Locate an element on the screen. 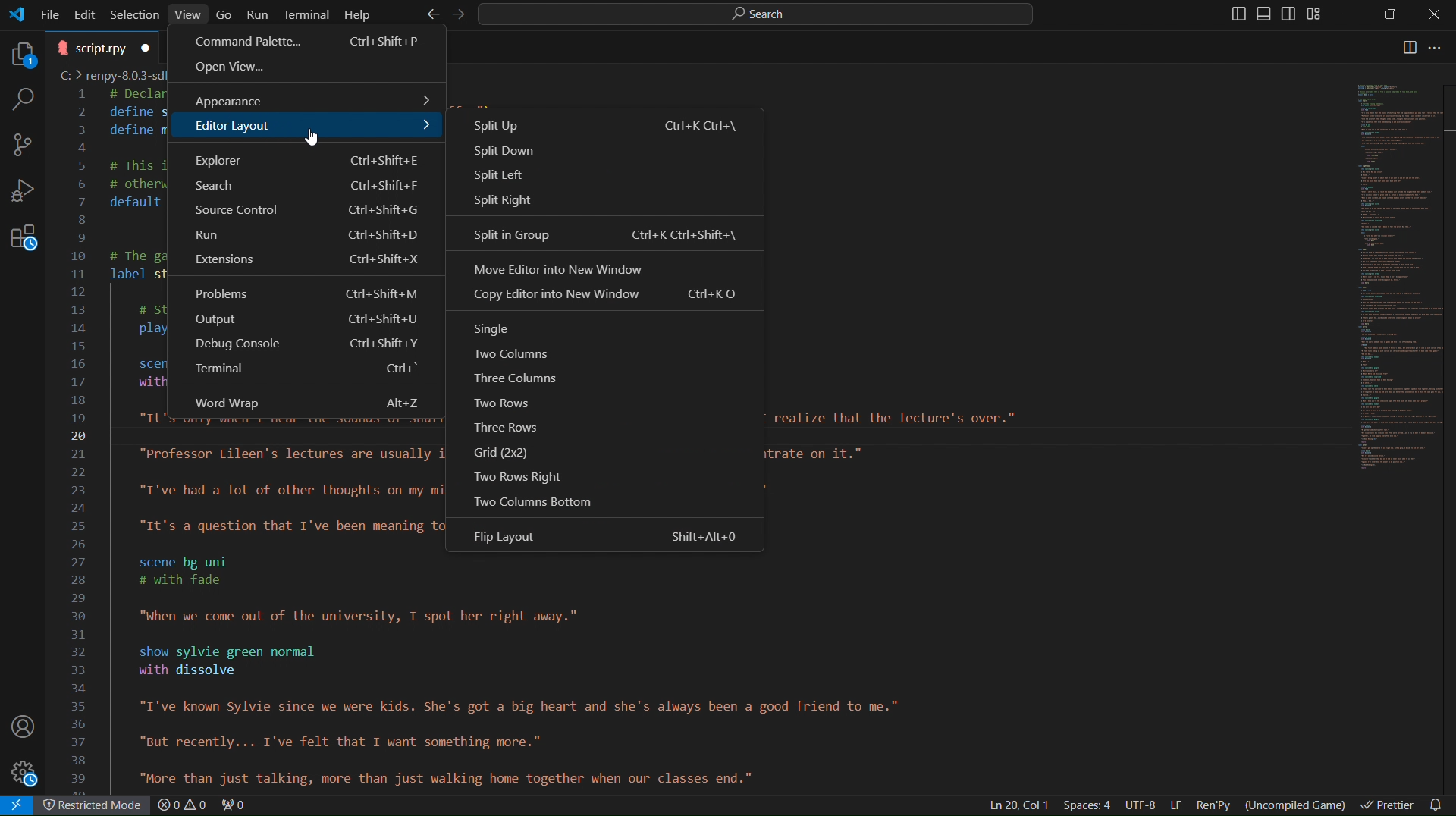 This screenshot has height=816, width=1456. Restricted Mode is located at coordinates (96, 807).